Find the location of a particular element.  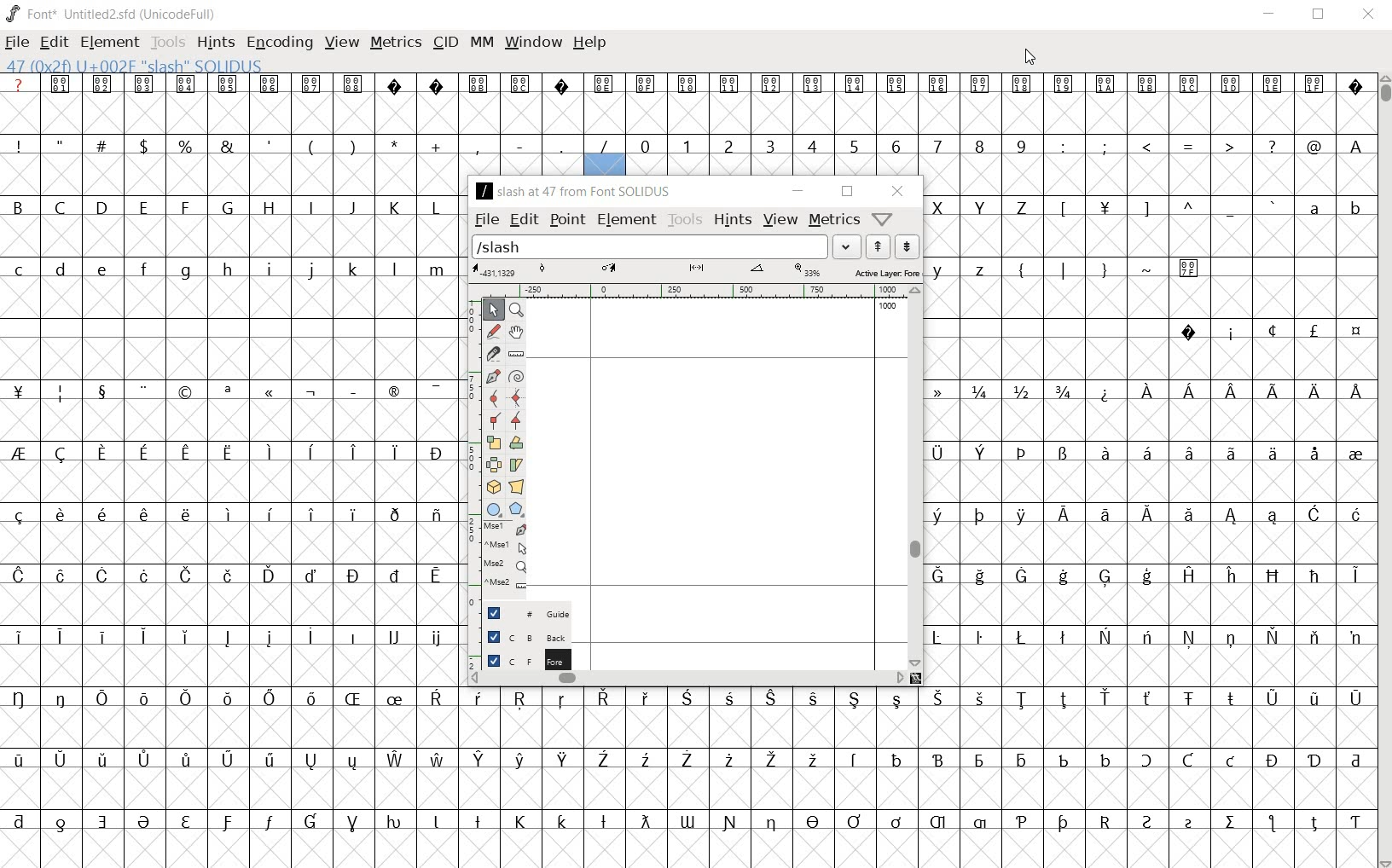

symbols is located at coordinates (1163, 208).